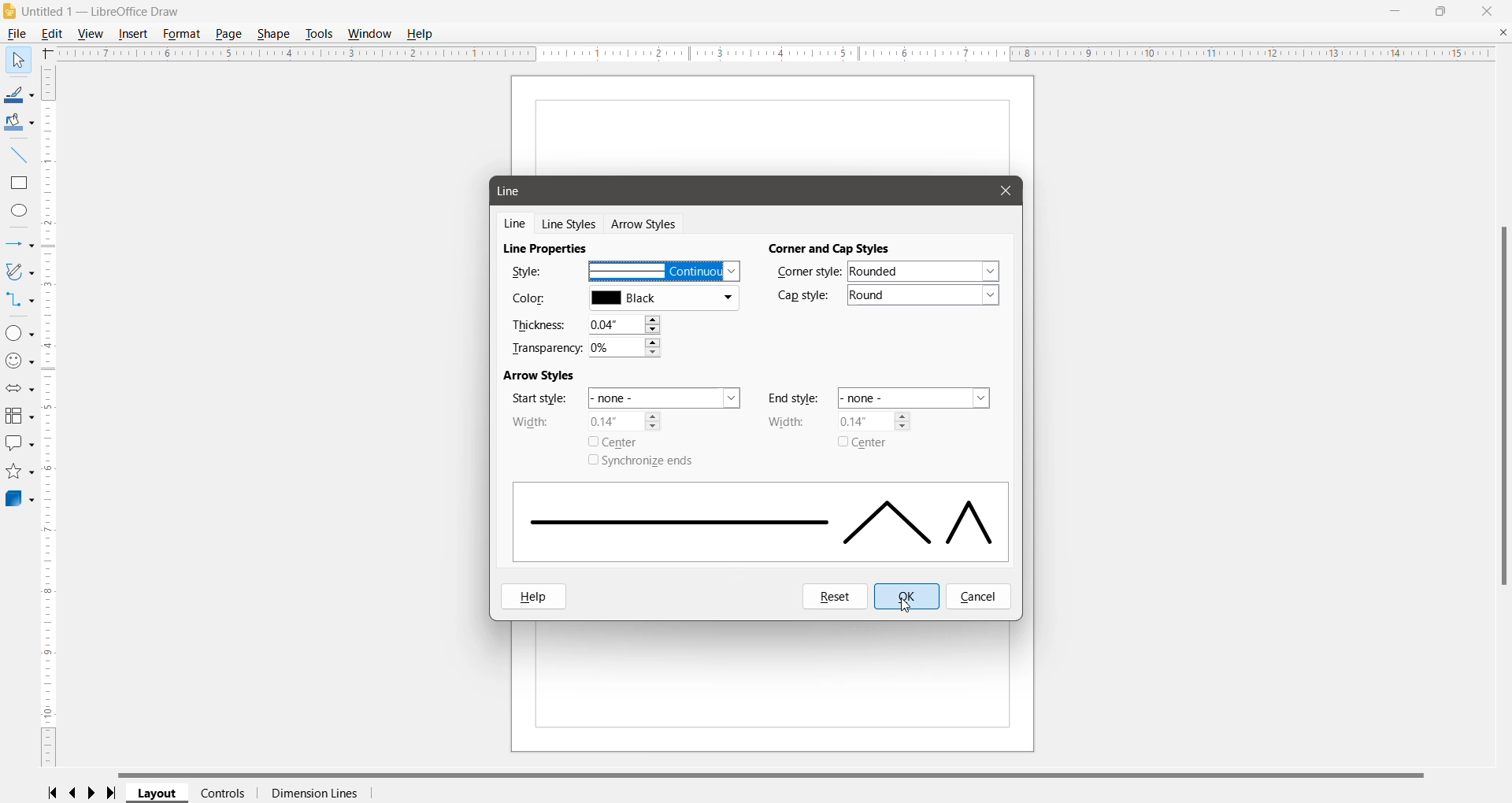 The width and height of the screenshot is (1512, 803). I want to click on Block Arrows, so click(20, 389).